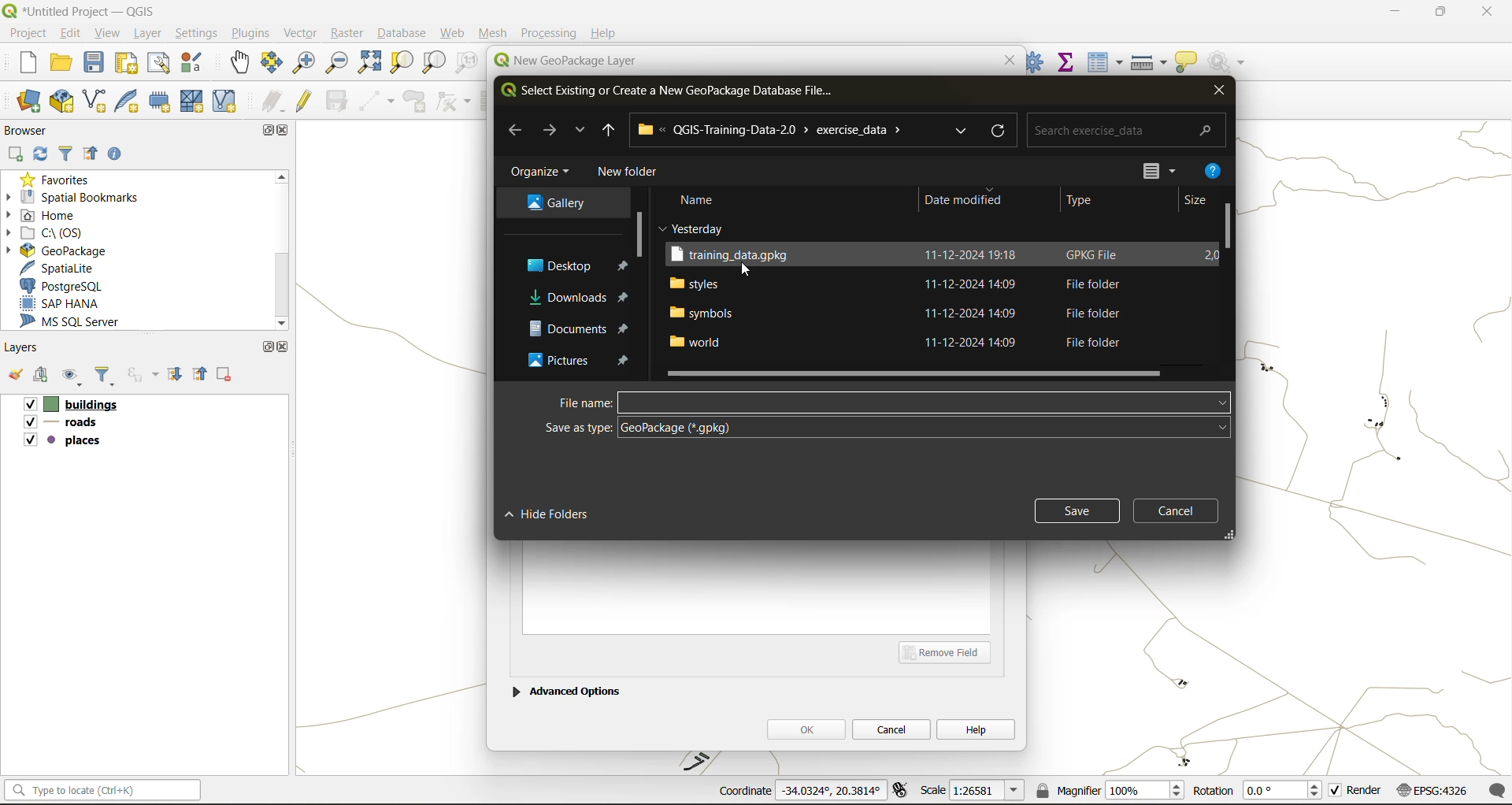  I want to click on maximize, so click(1440, 14).